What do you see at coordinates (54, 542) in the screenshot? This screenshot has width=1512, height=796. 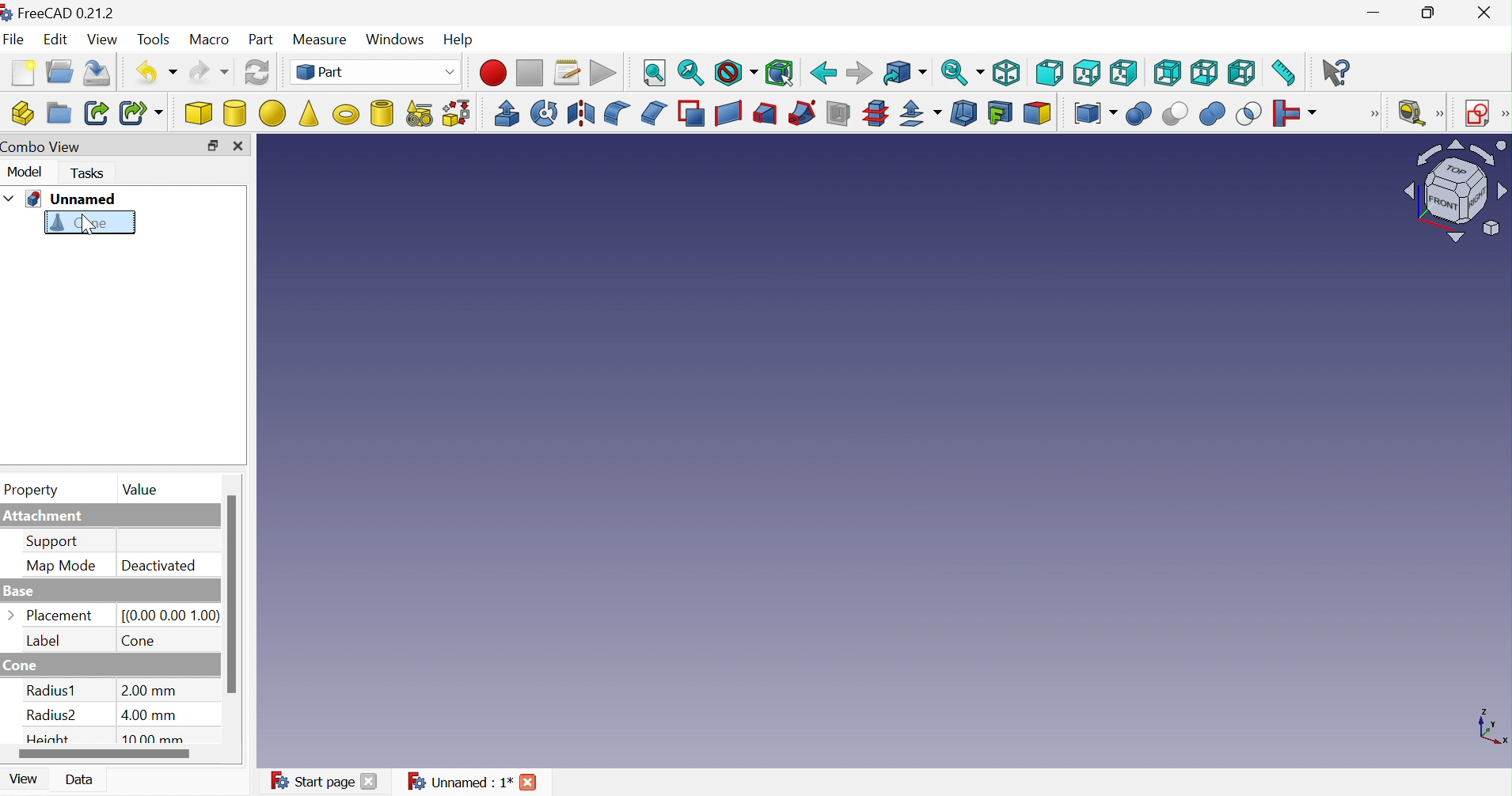 I see `Support` at bounding box center [54, 542].